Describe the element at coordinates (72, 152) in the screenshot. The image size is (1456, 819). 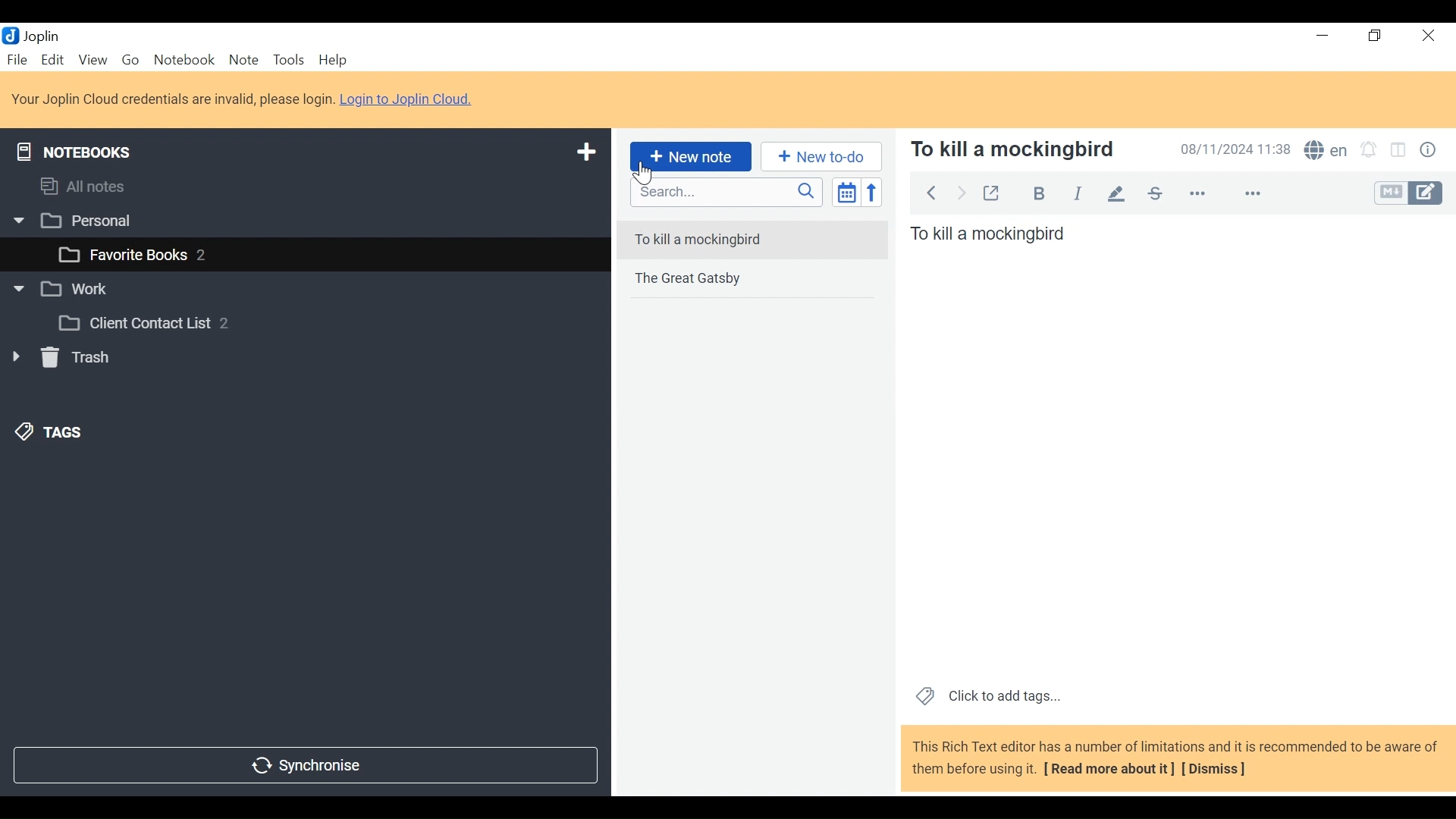
I see `Notebooks` at that location.